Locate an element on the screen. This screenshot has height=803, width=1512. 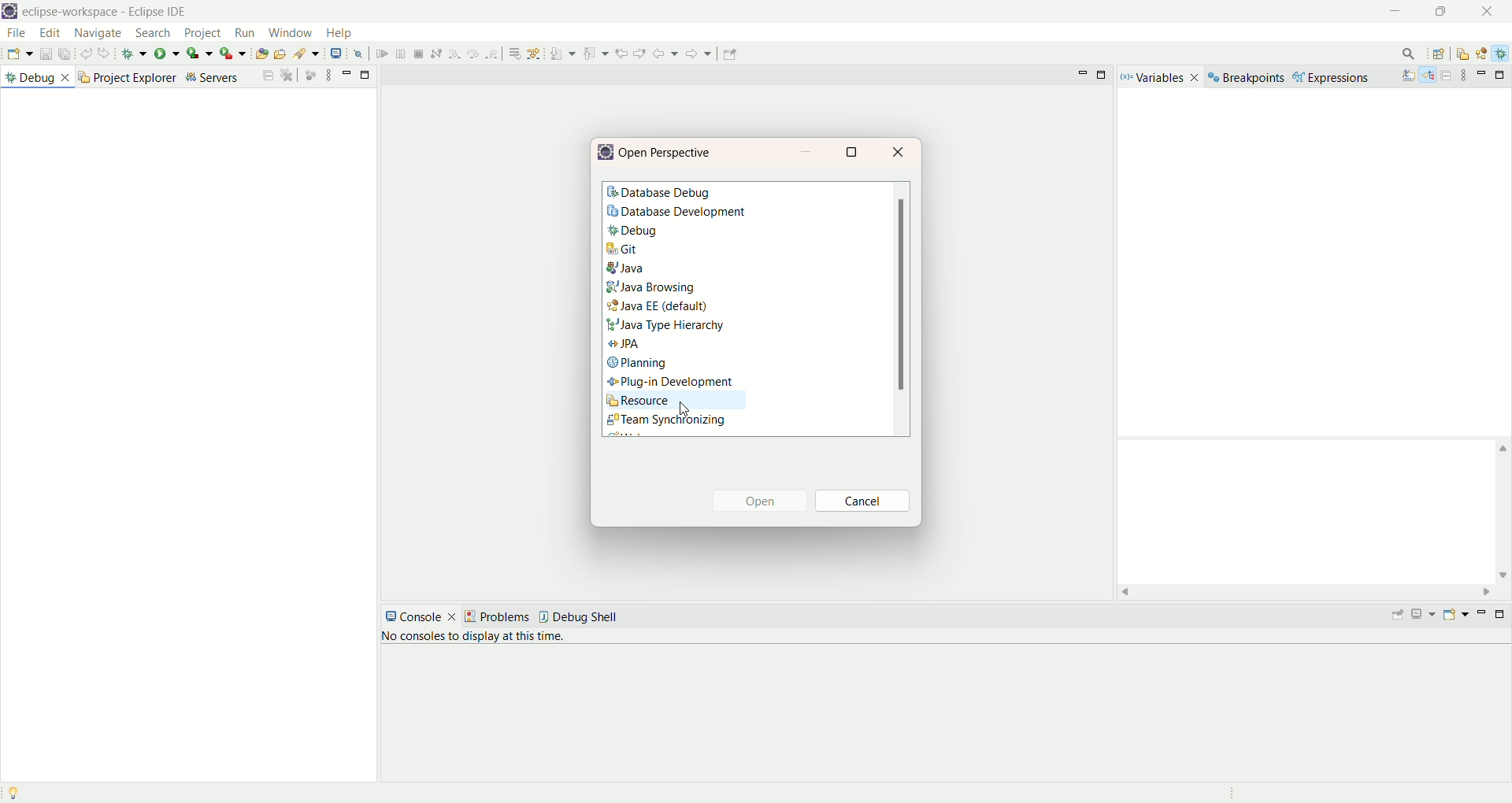
resources is located at coordinates (1464, 55).